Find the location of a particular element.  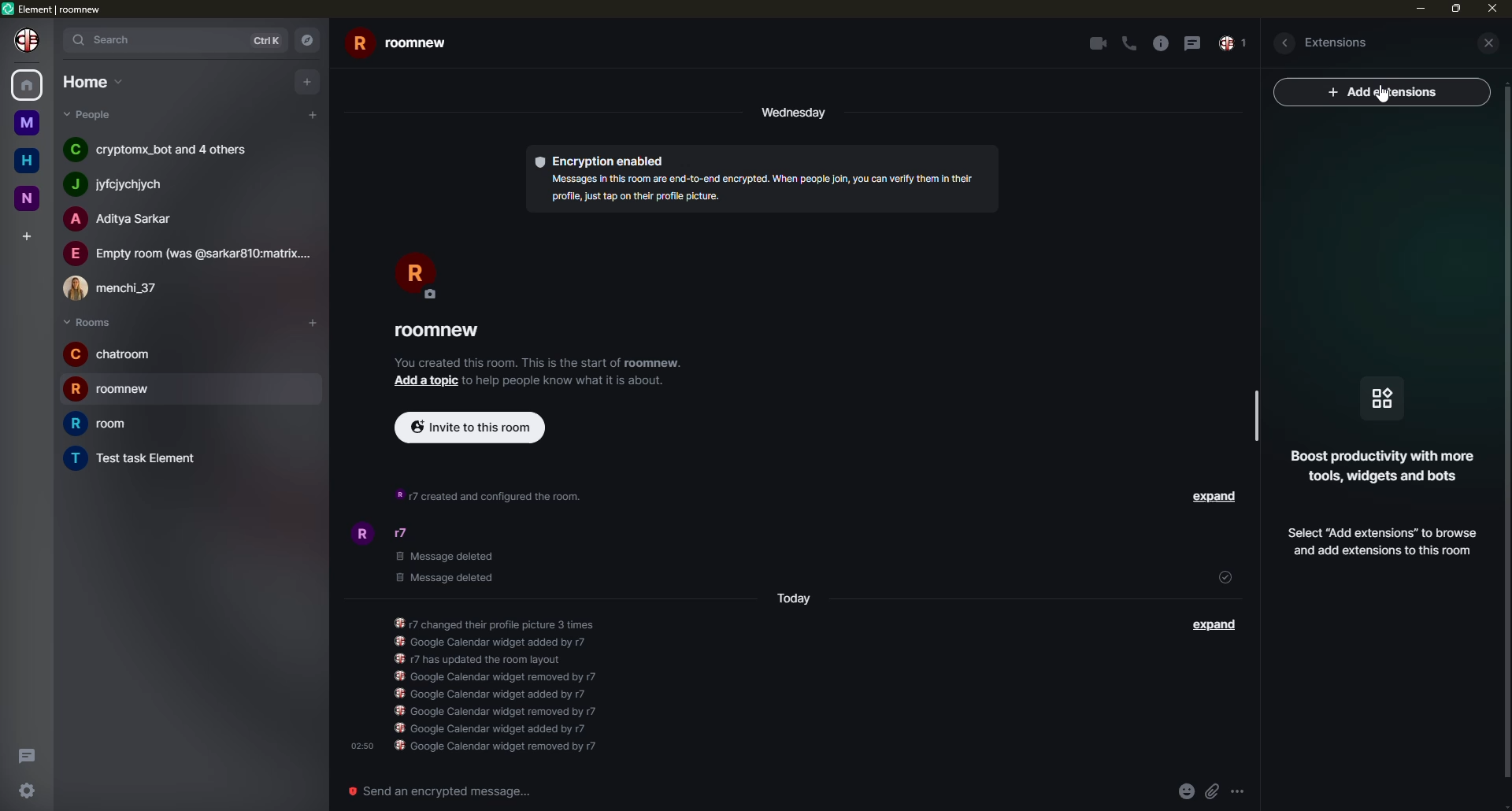

more is located at coordinates (1236, 791).